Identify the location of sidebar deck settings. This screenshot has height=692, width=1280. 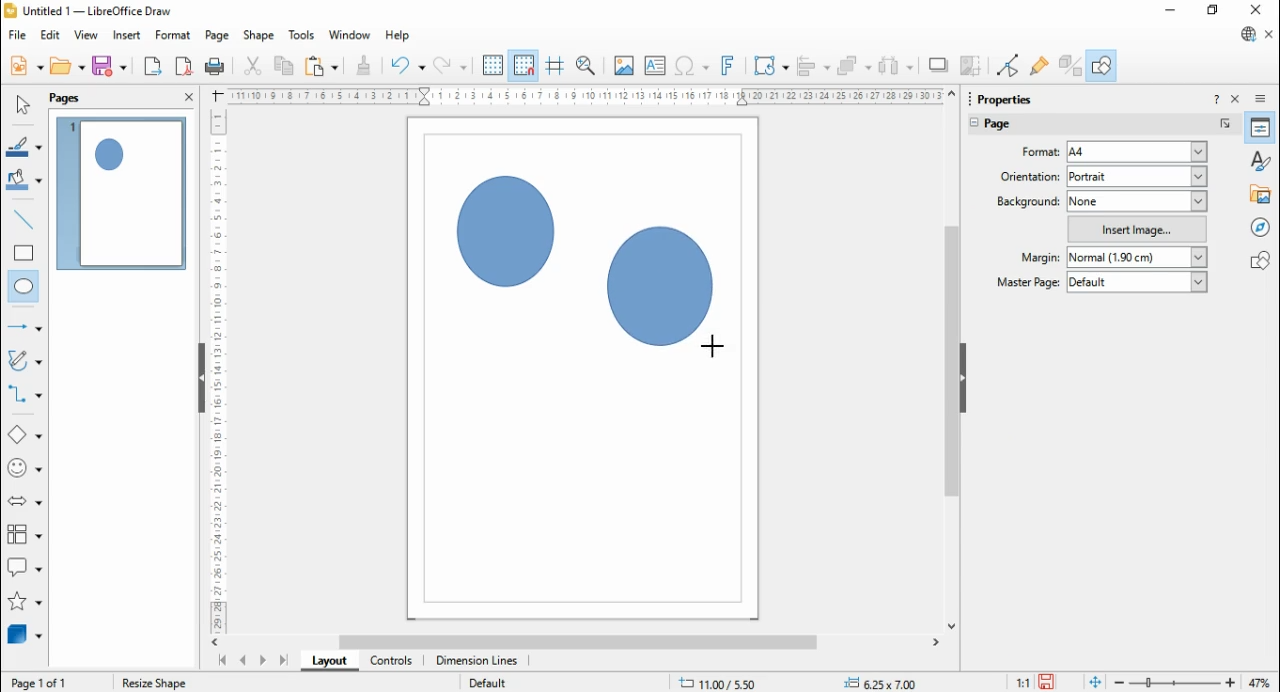
(1262, 99).